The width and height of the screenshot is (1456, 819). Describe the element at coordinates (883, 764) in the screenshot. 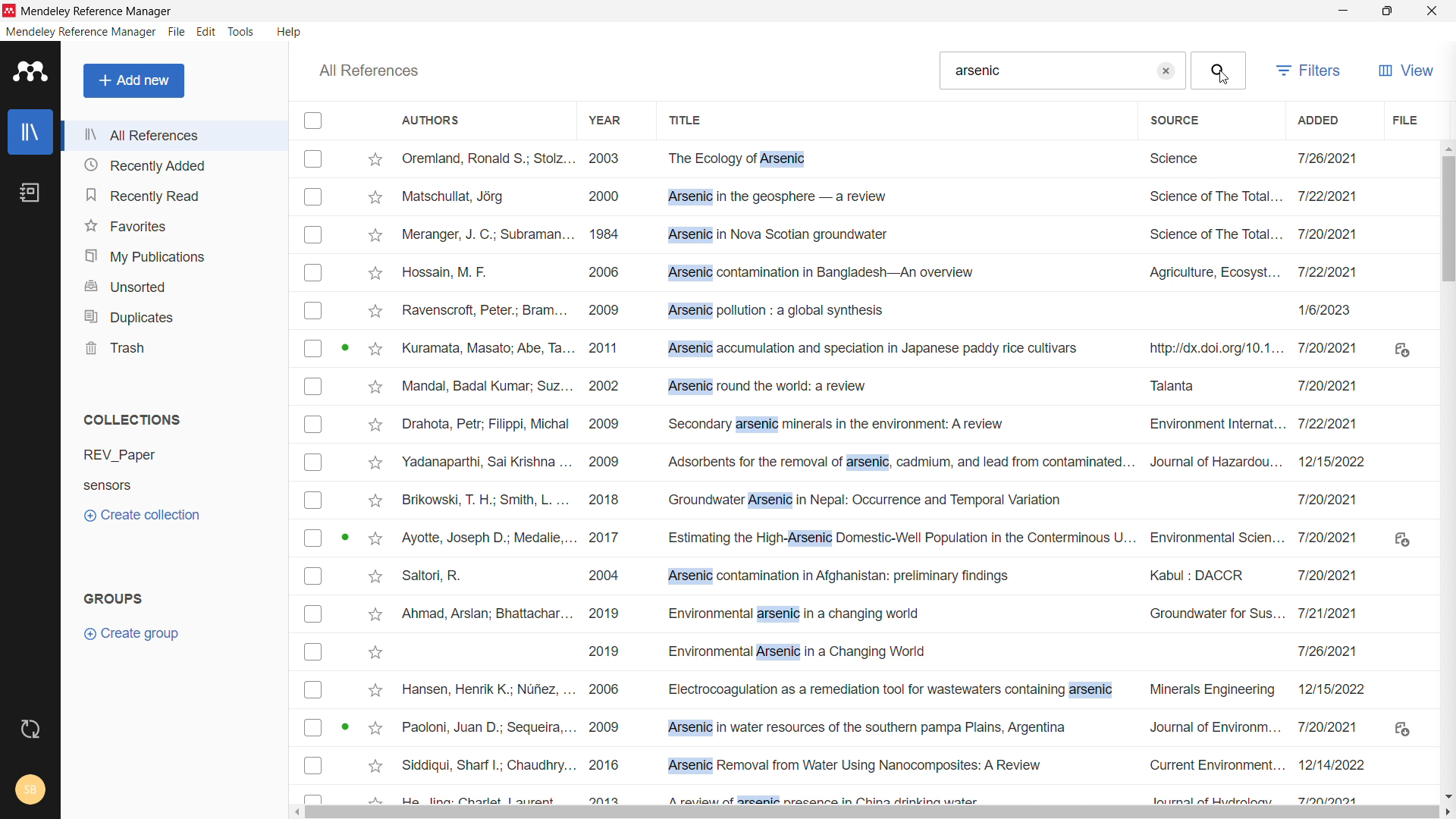

I see `Siddiqui, Sharf I.; Chaudhry... 2016 Arsenic Removal from Water Using Nanocomposites: A Review Current Environment... 12/14/2022` at that location.